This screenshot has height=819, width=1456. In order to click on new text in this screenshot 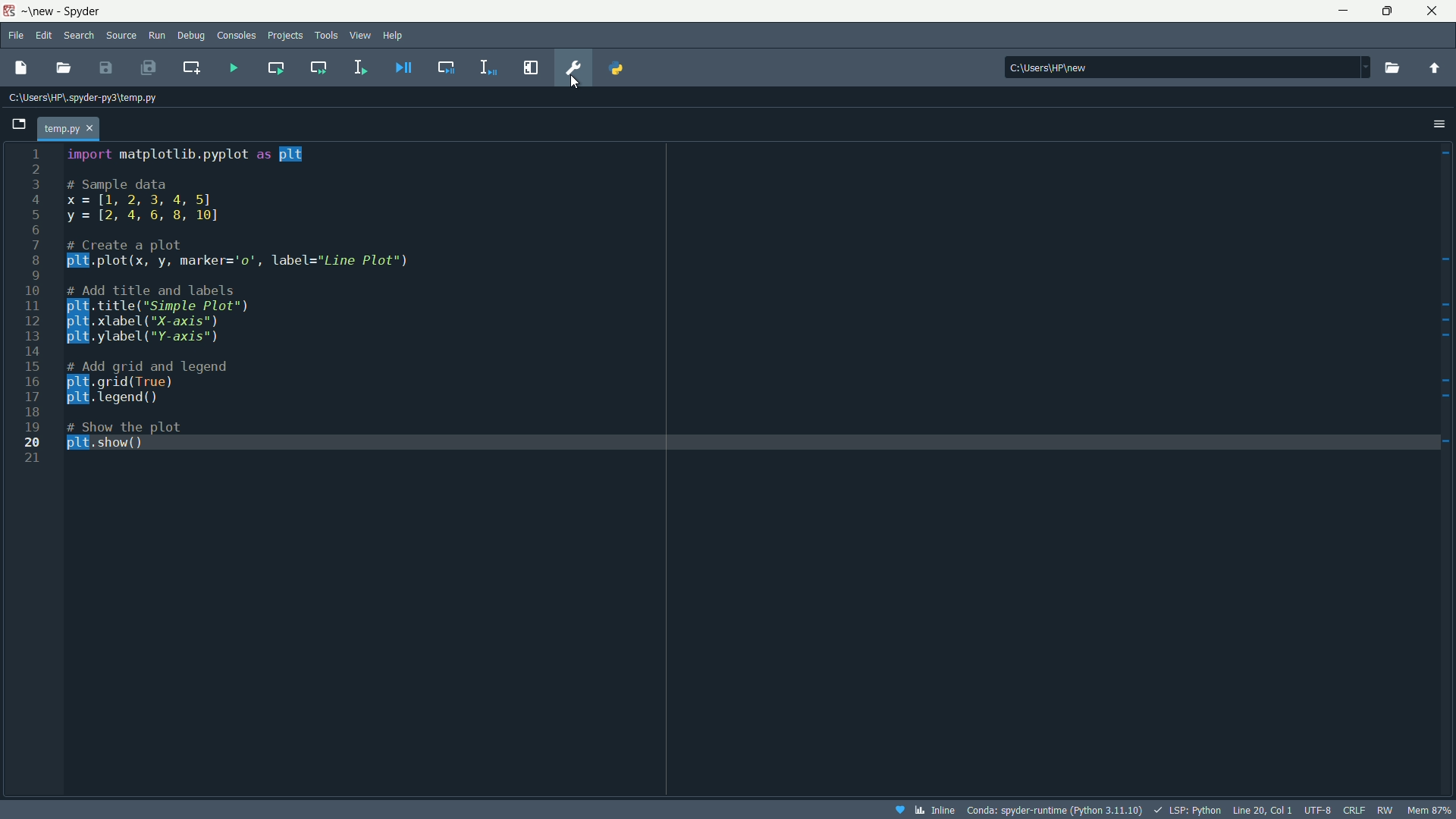, I will do `click(23, 66)`.